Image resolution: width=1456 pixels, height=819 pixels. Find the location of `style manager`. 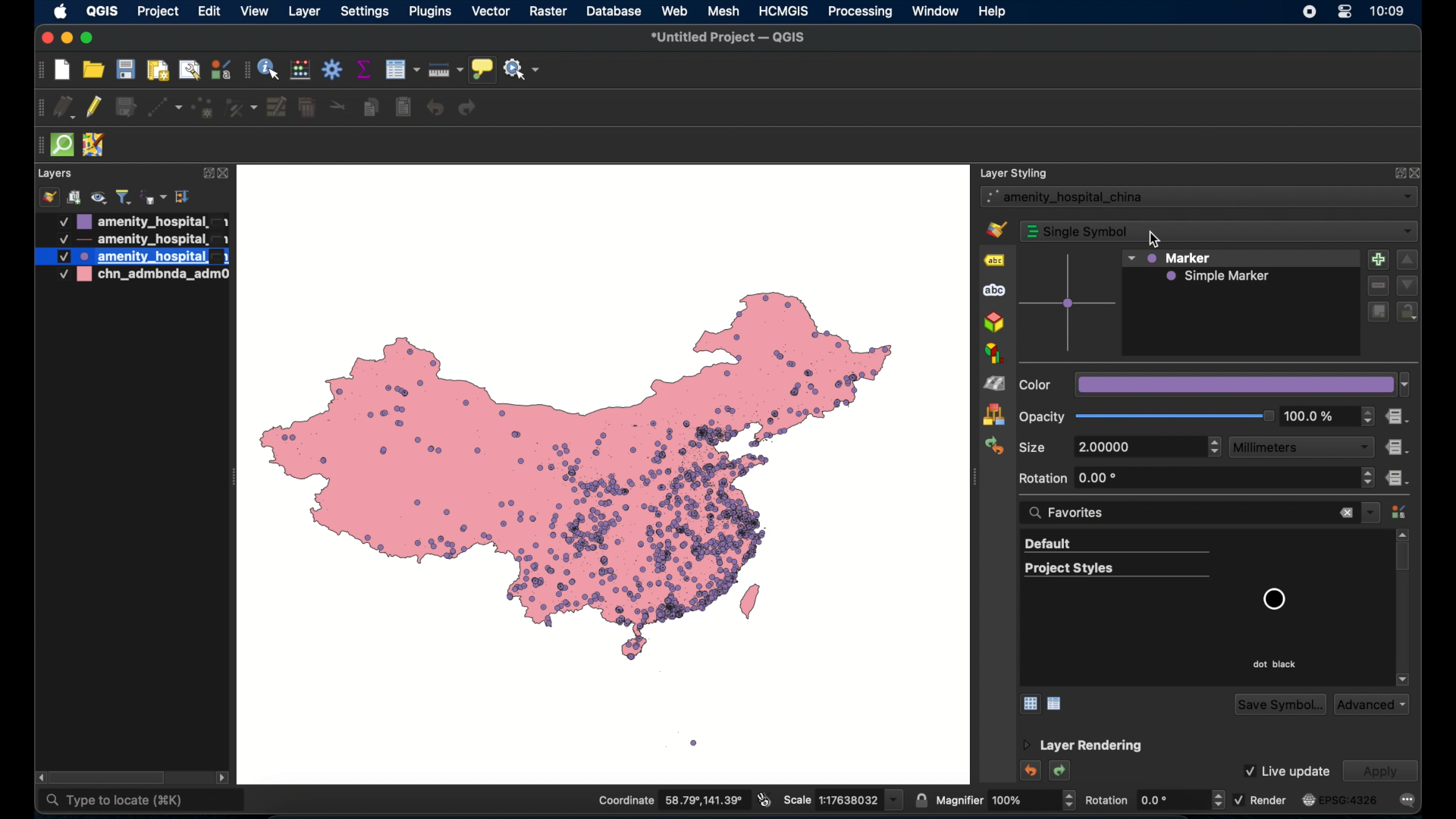

style manager is located at coordinates (1399, 513).